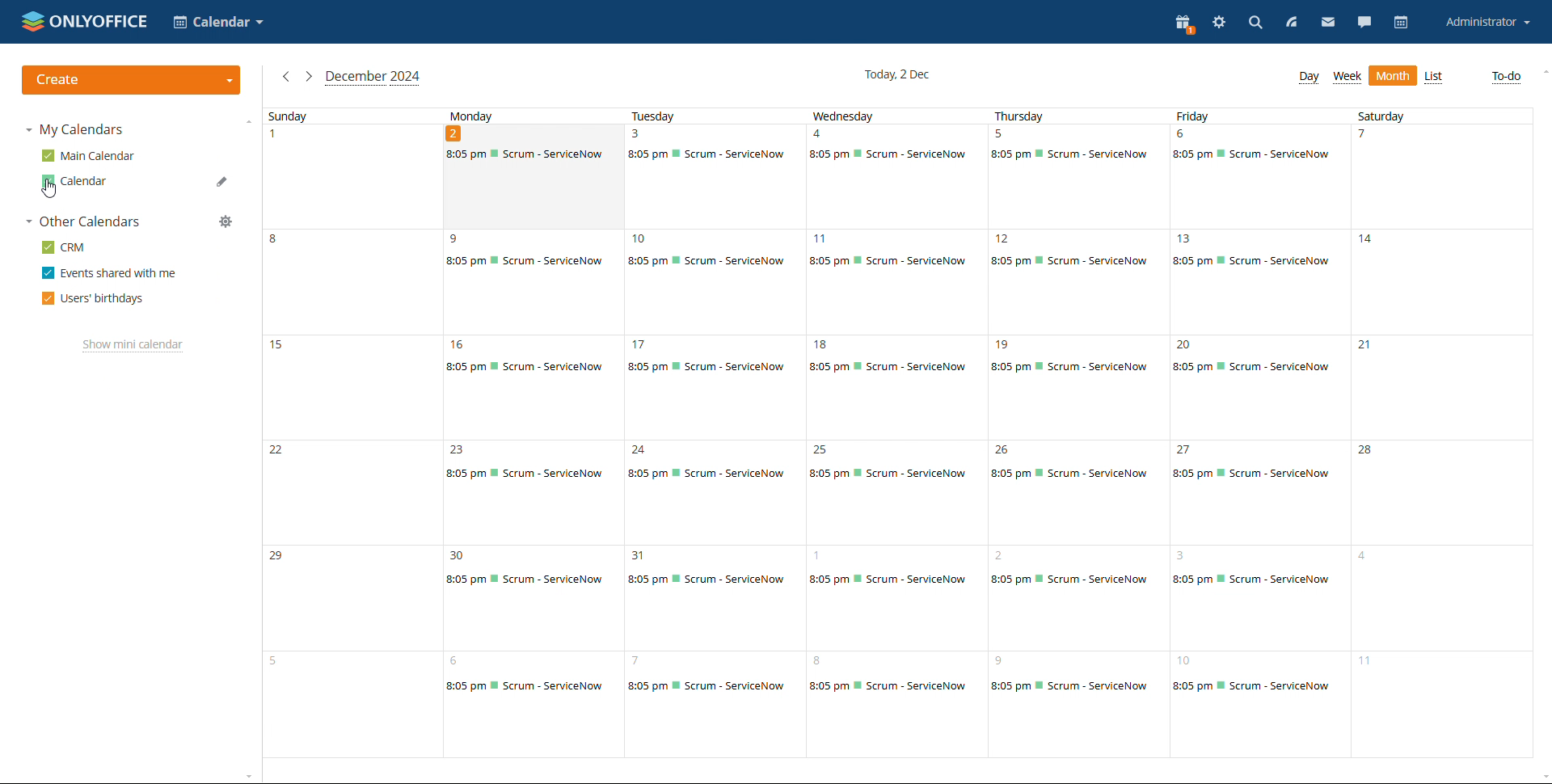 This screenshot has width=1552, height=784. I want to click on month view, so click(1392, 76).